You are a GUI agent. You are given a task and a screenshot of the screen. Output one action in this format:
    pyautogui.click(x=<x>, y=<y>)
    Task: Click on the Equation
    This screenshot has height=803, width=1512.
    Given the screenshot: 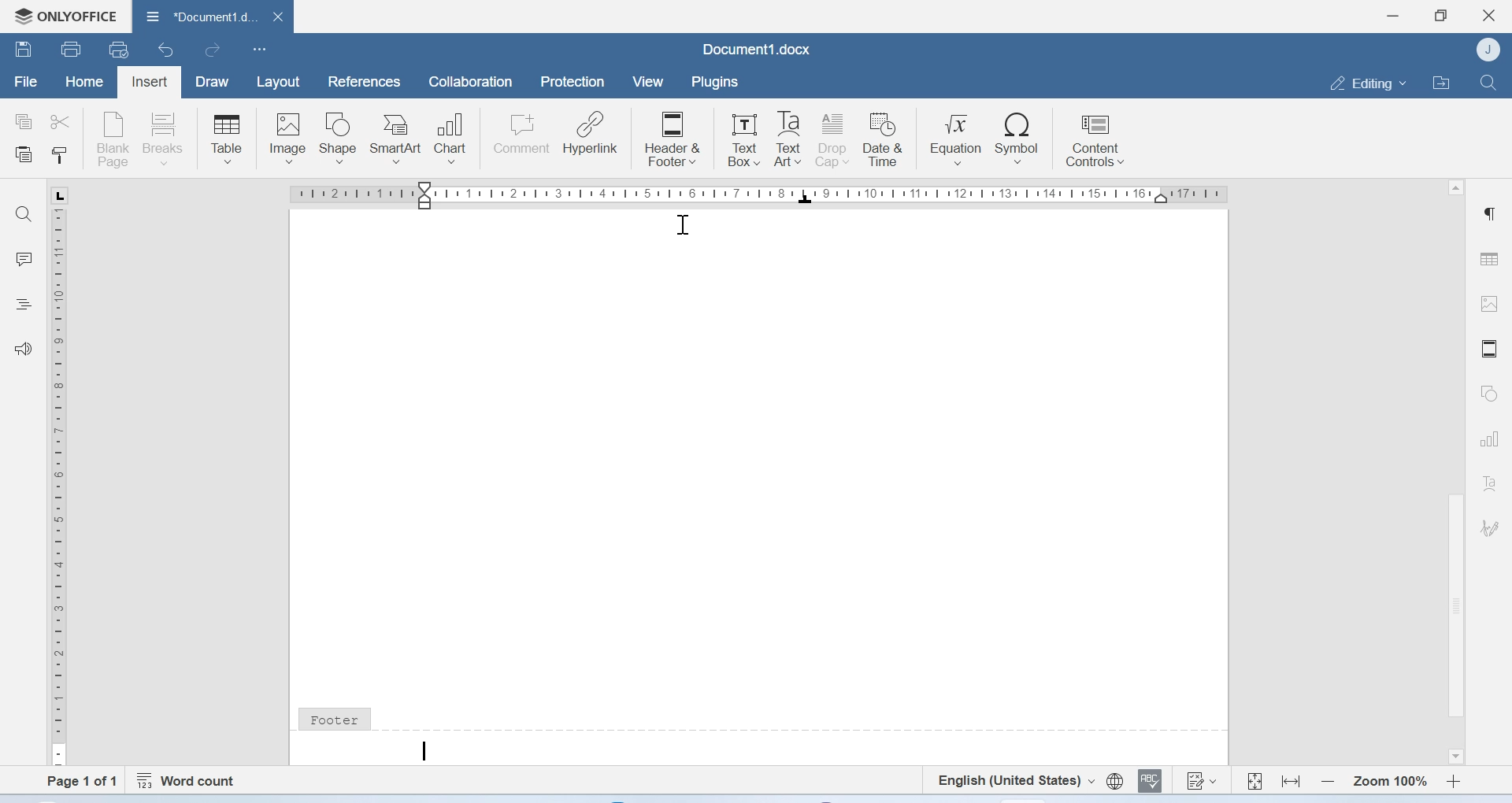 What is the action you would take?
    pyautogui.click(x=957, y=139)
    